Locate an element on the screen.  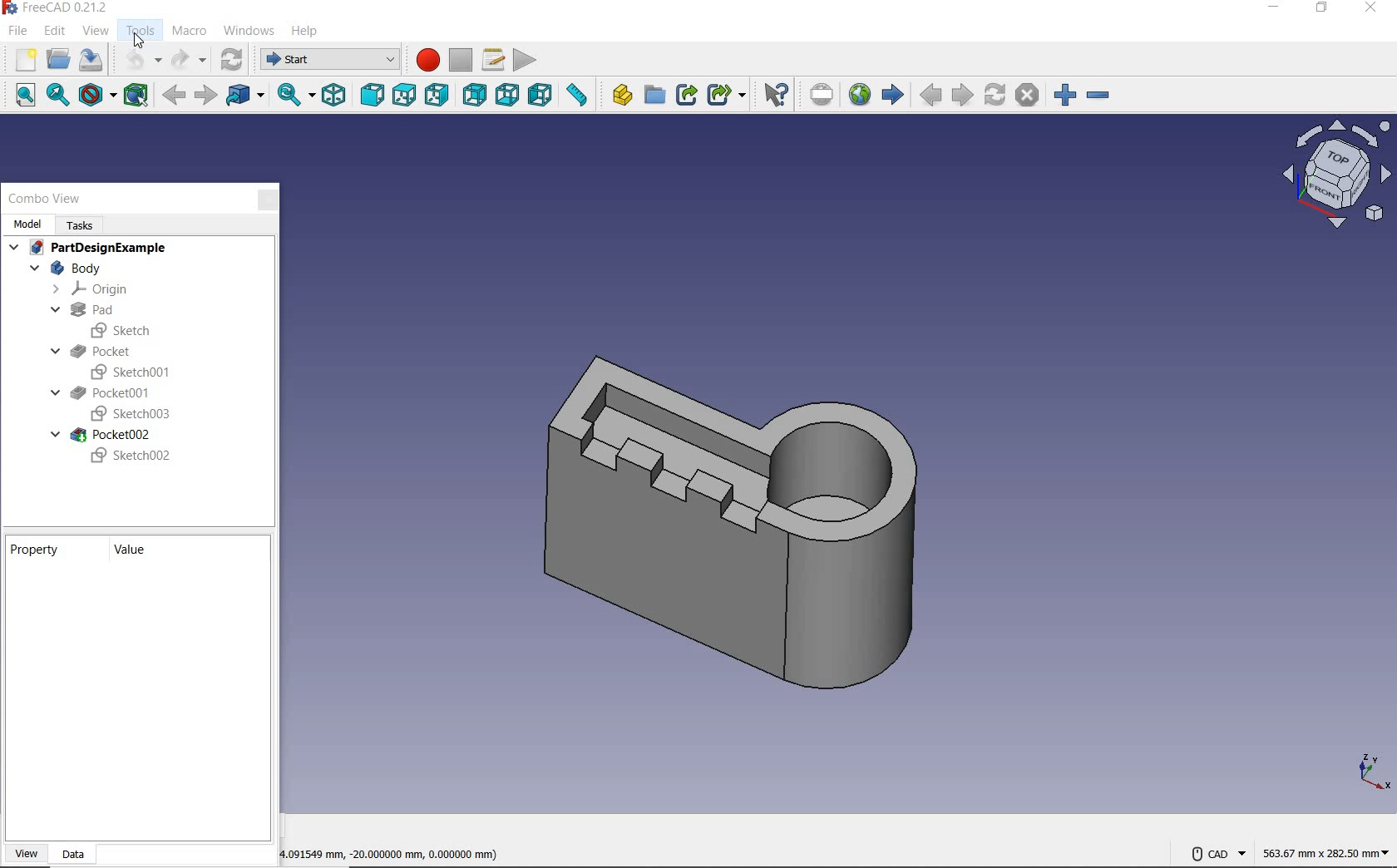
Refresh webpage is located at coordinates (997, 91).